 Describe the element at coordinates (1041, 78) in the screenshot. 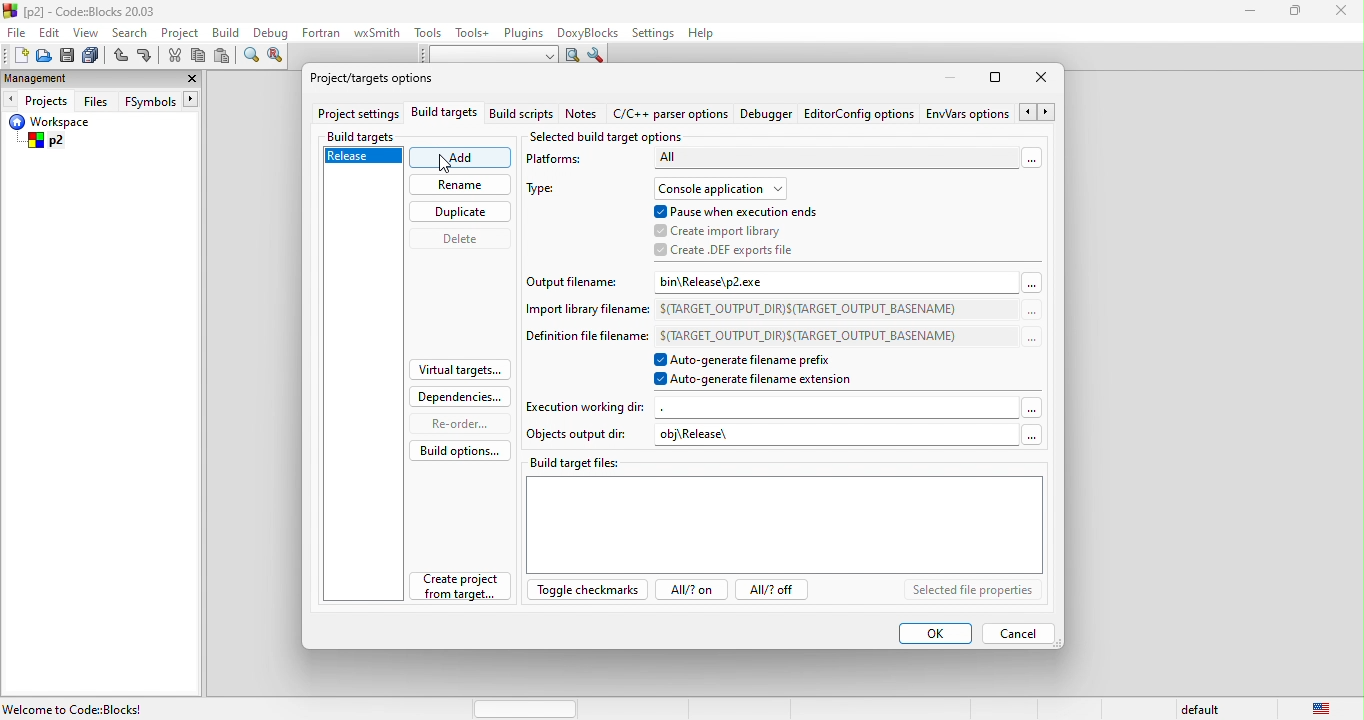

I see `close` at that location.